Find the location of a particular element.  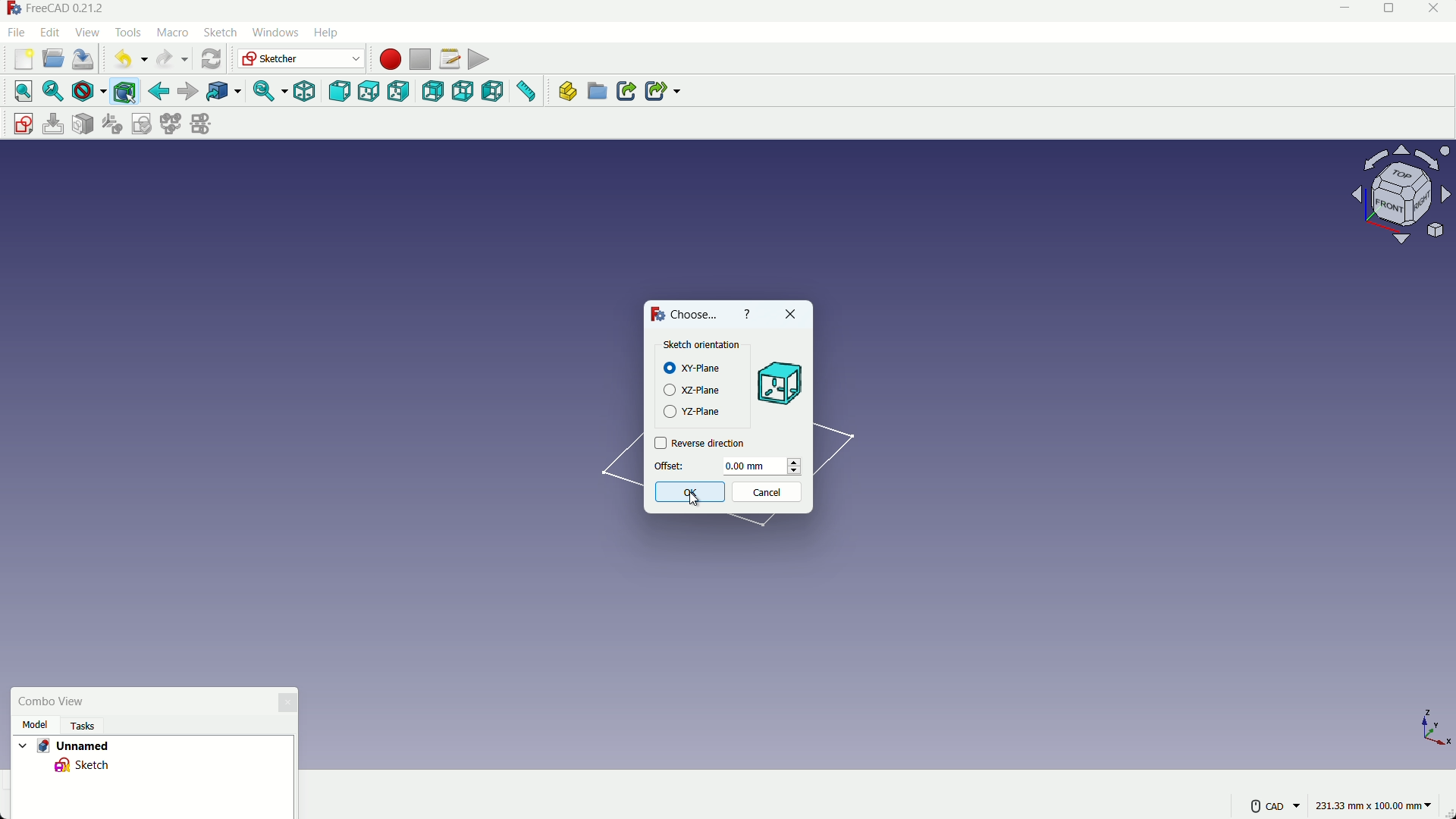

help menu is located at coordinates (331, 33).